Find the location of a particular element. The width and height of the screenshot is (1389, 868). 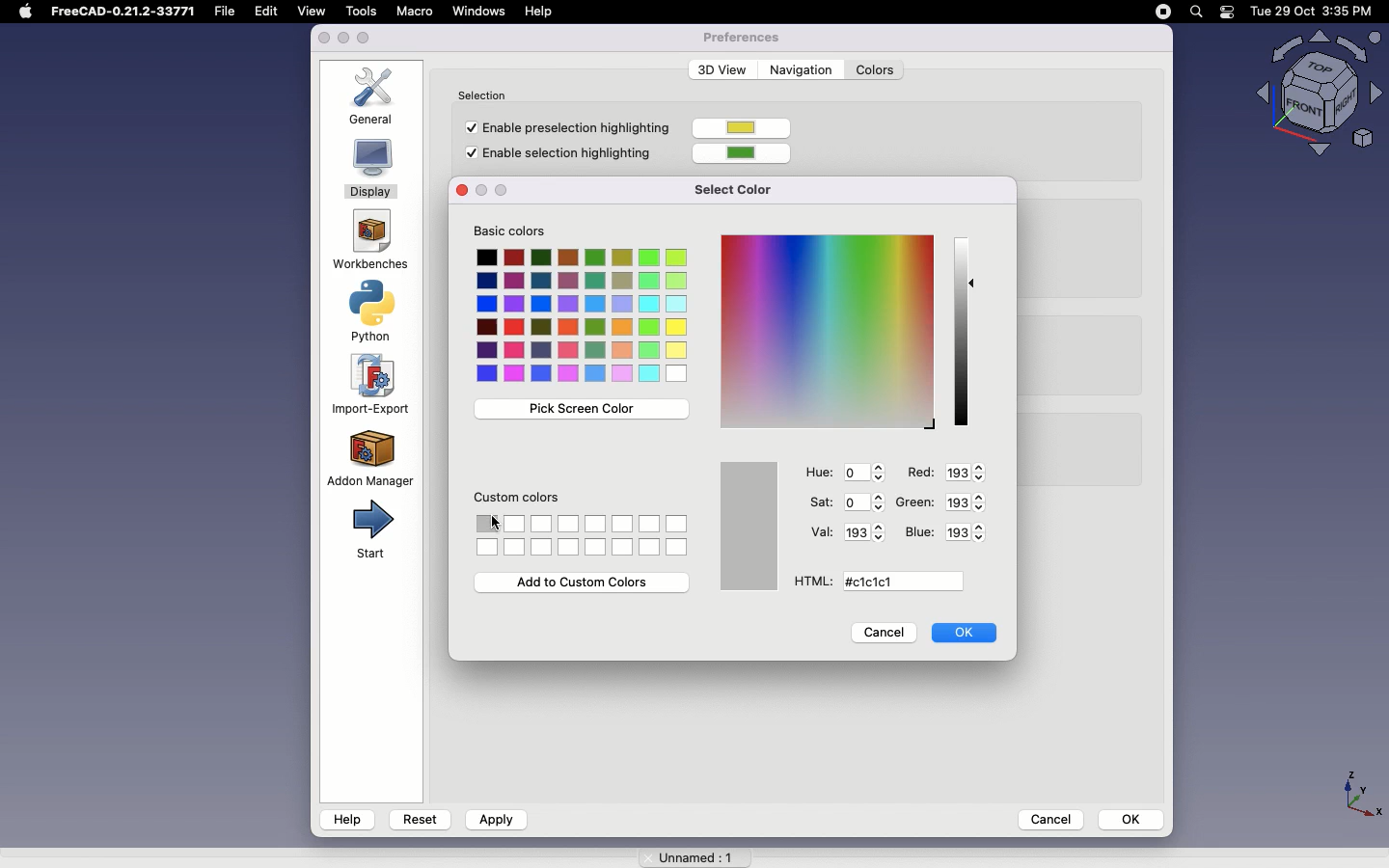

Addon Manager is located at coordinates (370, 457).